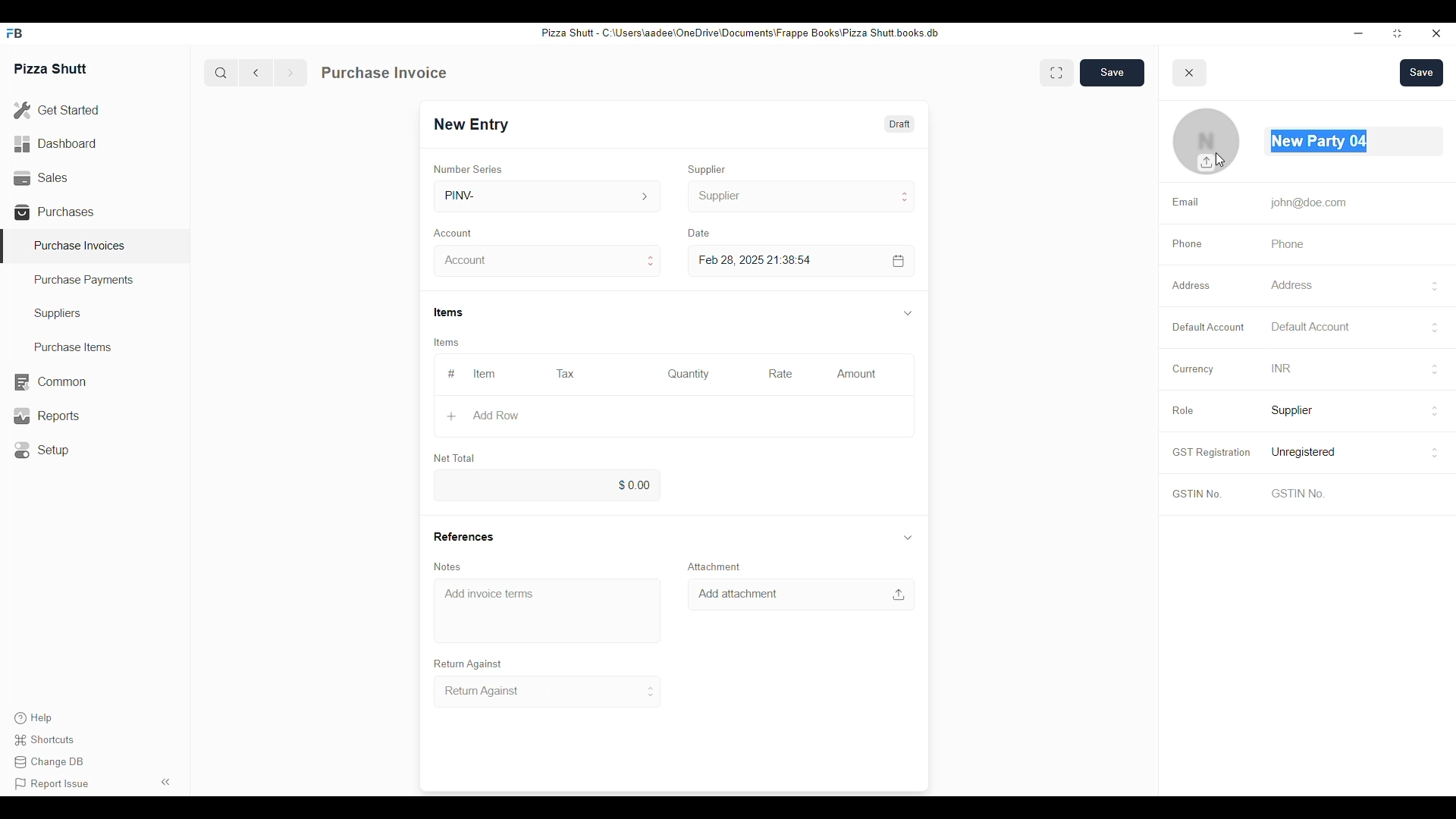  Describe the element at coordinates (738, 594) in the screenshot. I see `Add attachment` at that location.